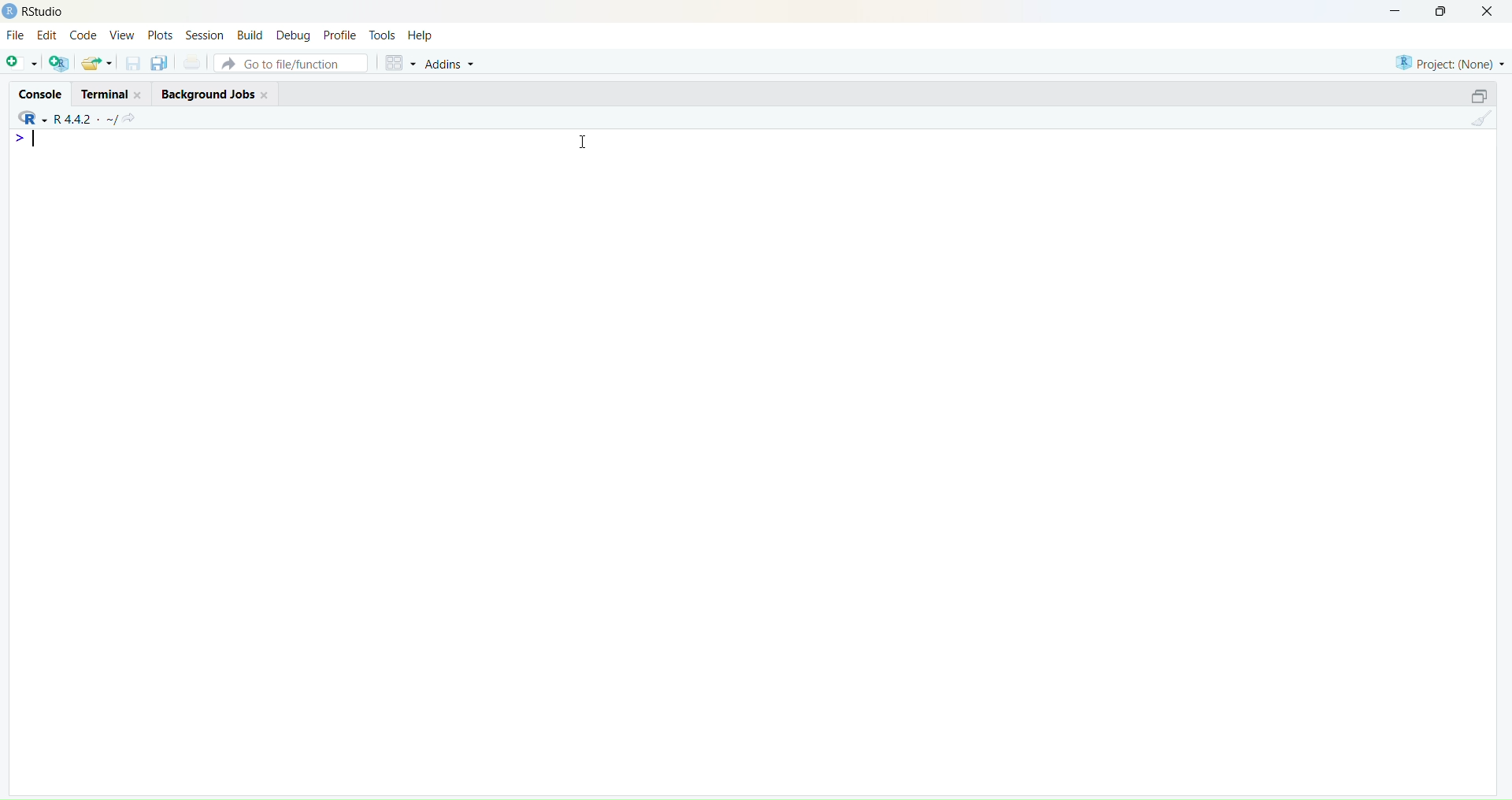  What do you see at coordinates (343, 36) in the screenshot?
I see `Profile` at bounding box center [343, 36].